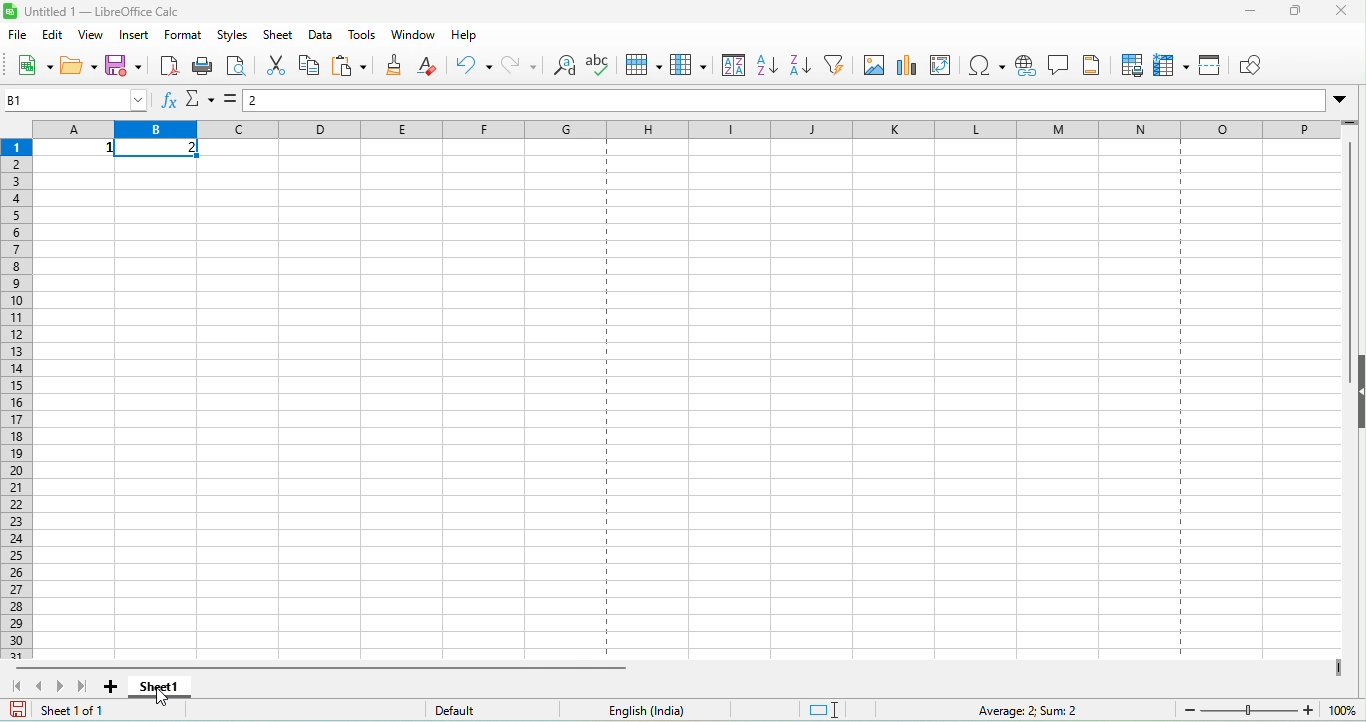  I want to click on cut, so click(274, 66).